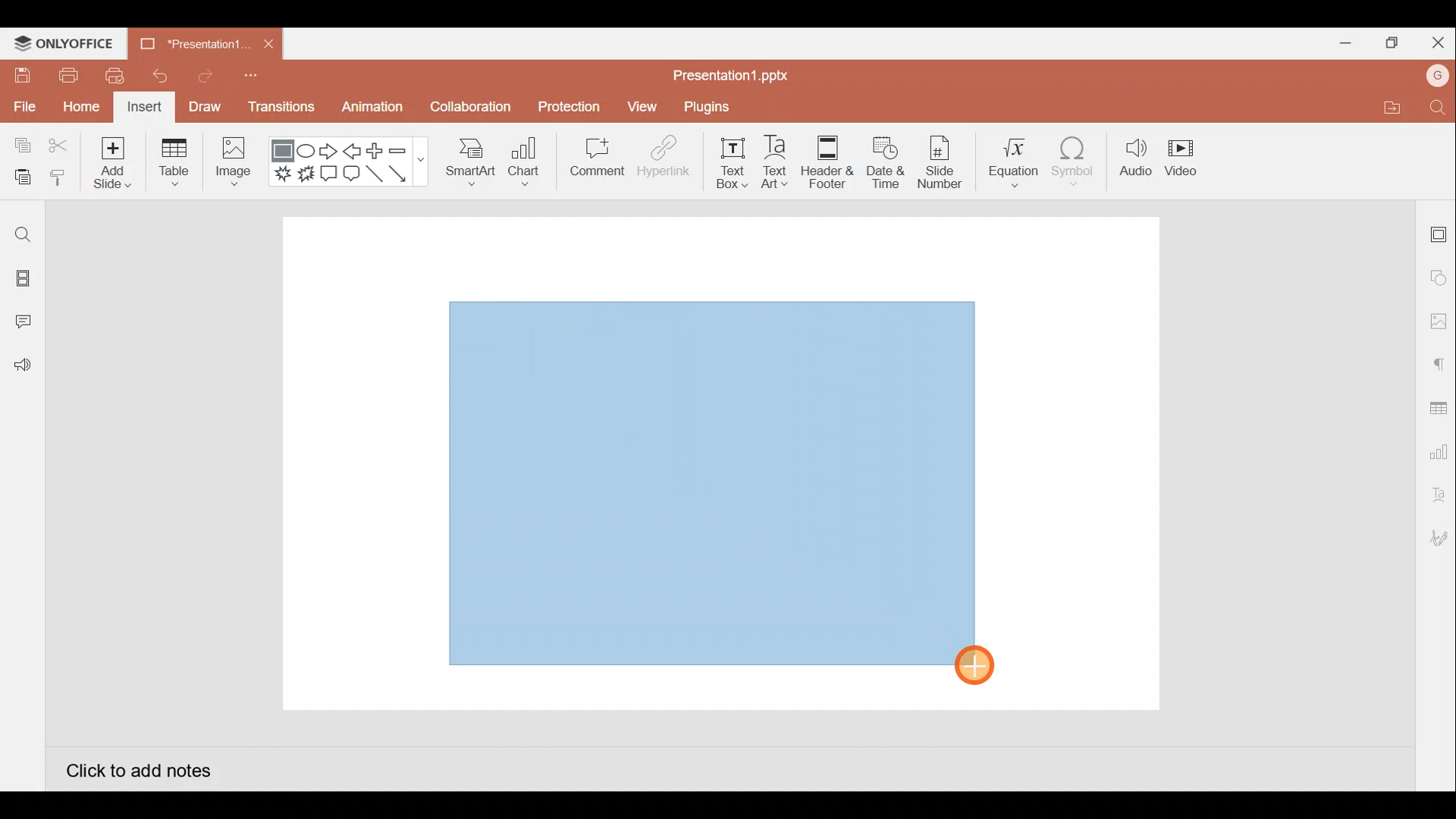 The image size is (1456, 819). I want to click on Insert, so click(145, 108).